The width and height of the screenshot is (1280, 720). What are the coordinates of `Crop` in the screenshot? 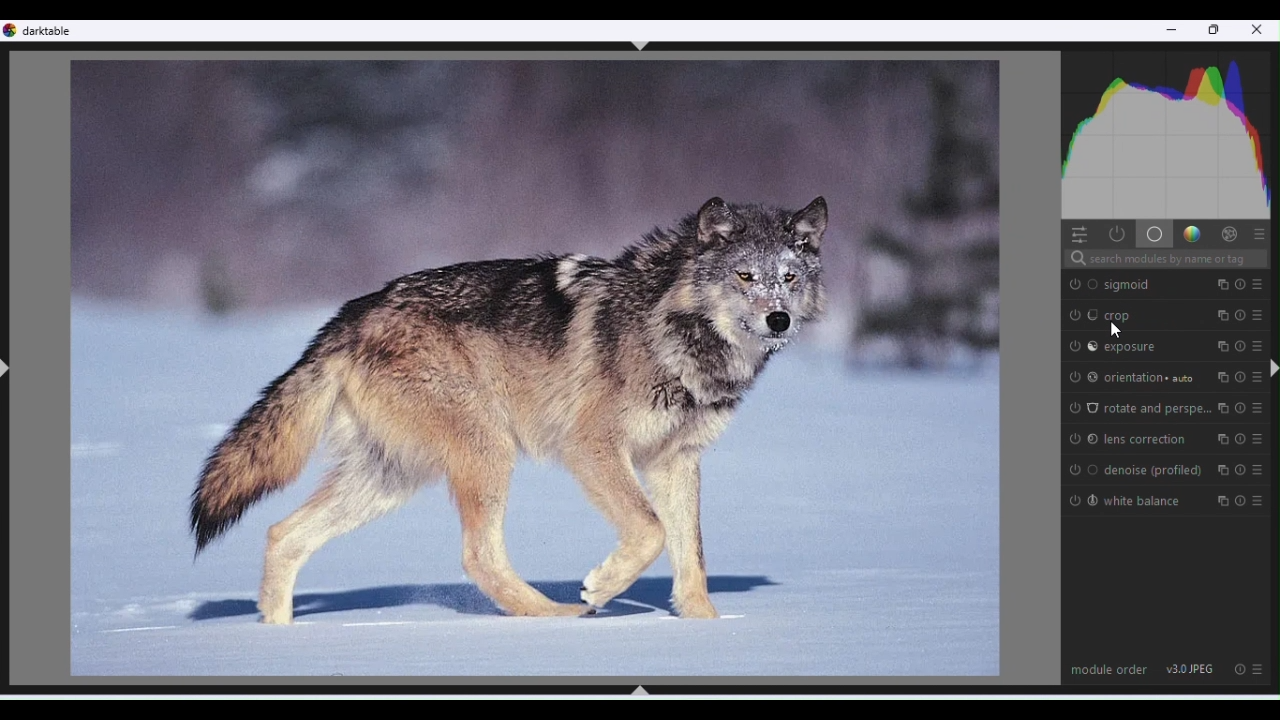 It's located at (1168, 312).